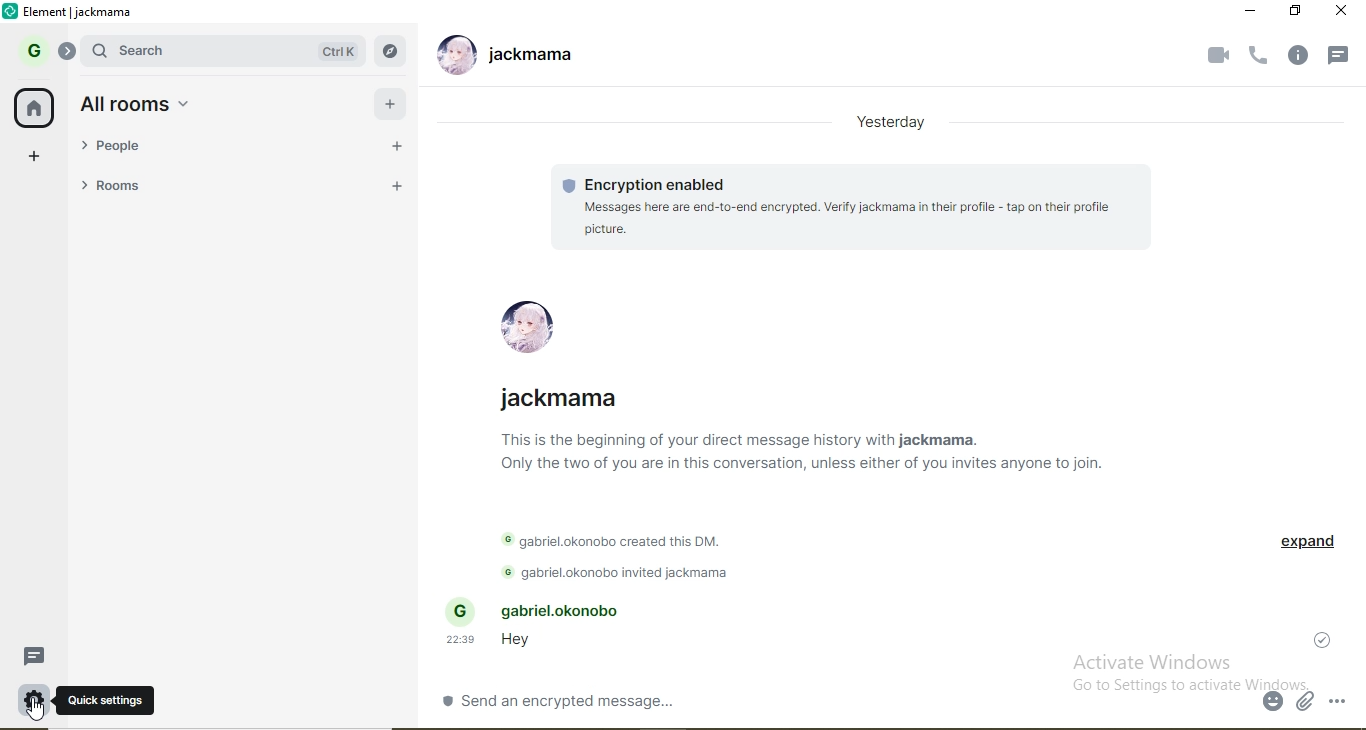  What do you see at coordinates (36, 109) in the screenshot?
I see `home` at bounding box center [36, 109].